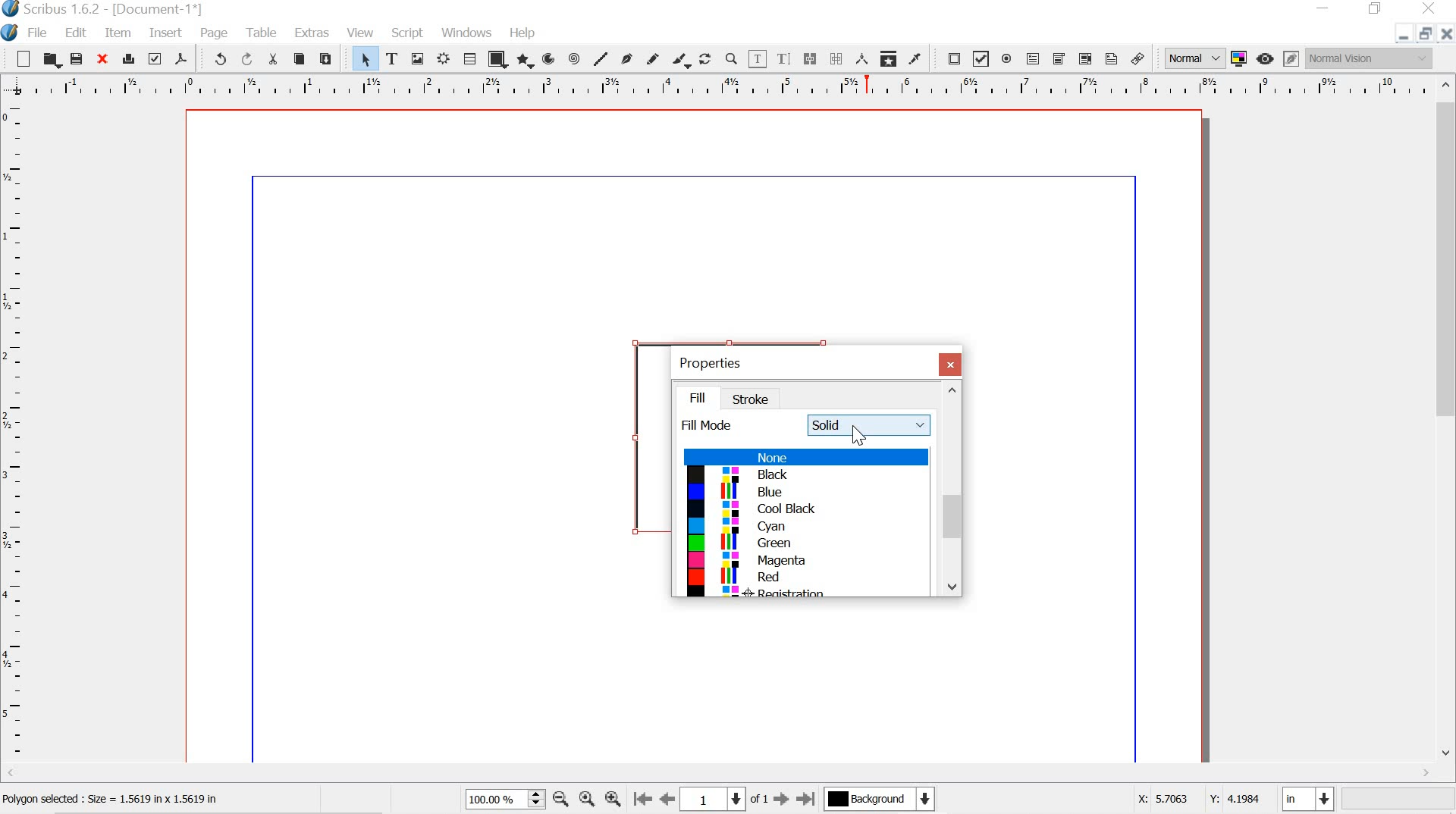 This screenshot has height=814, width=1456. I want to click on insert, so click(164, 34).